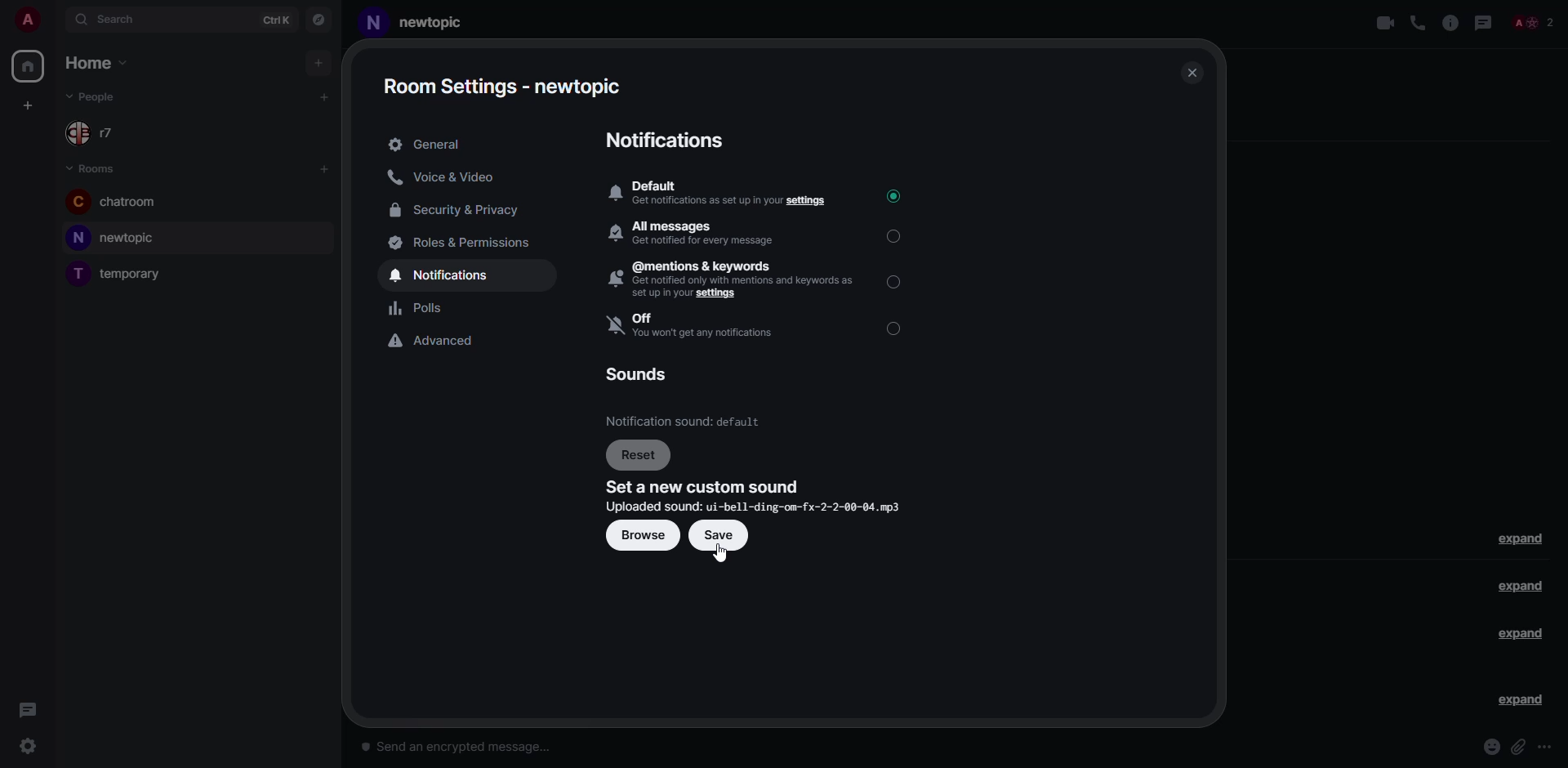  I want to click on reset, so click(639, 456).